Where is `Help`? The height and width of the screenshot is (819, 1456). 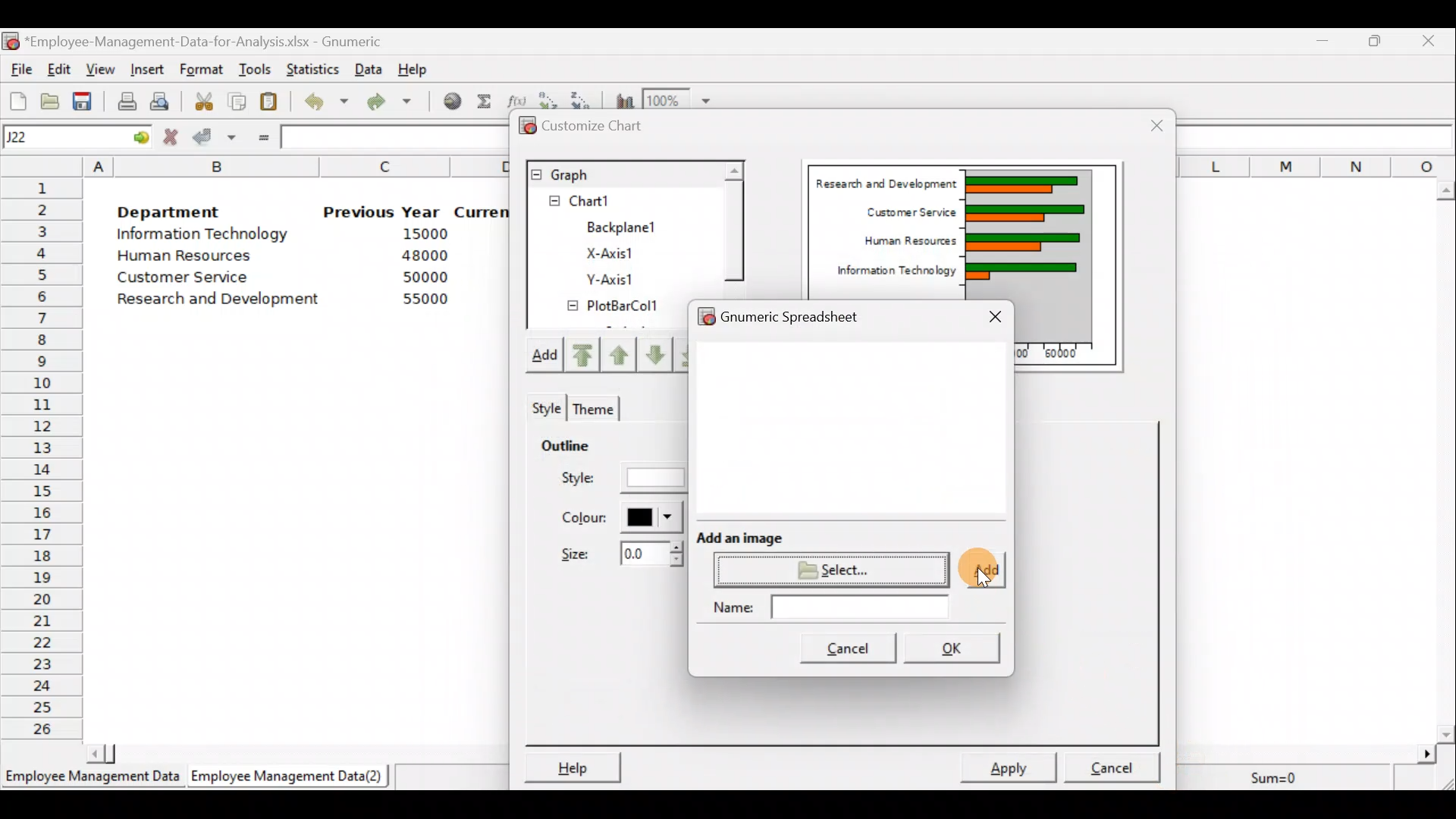 Help is located at coordinates (413, 66).